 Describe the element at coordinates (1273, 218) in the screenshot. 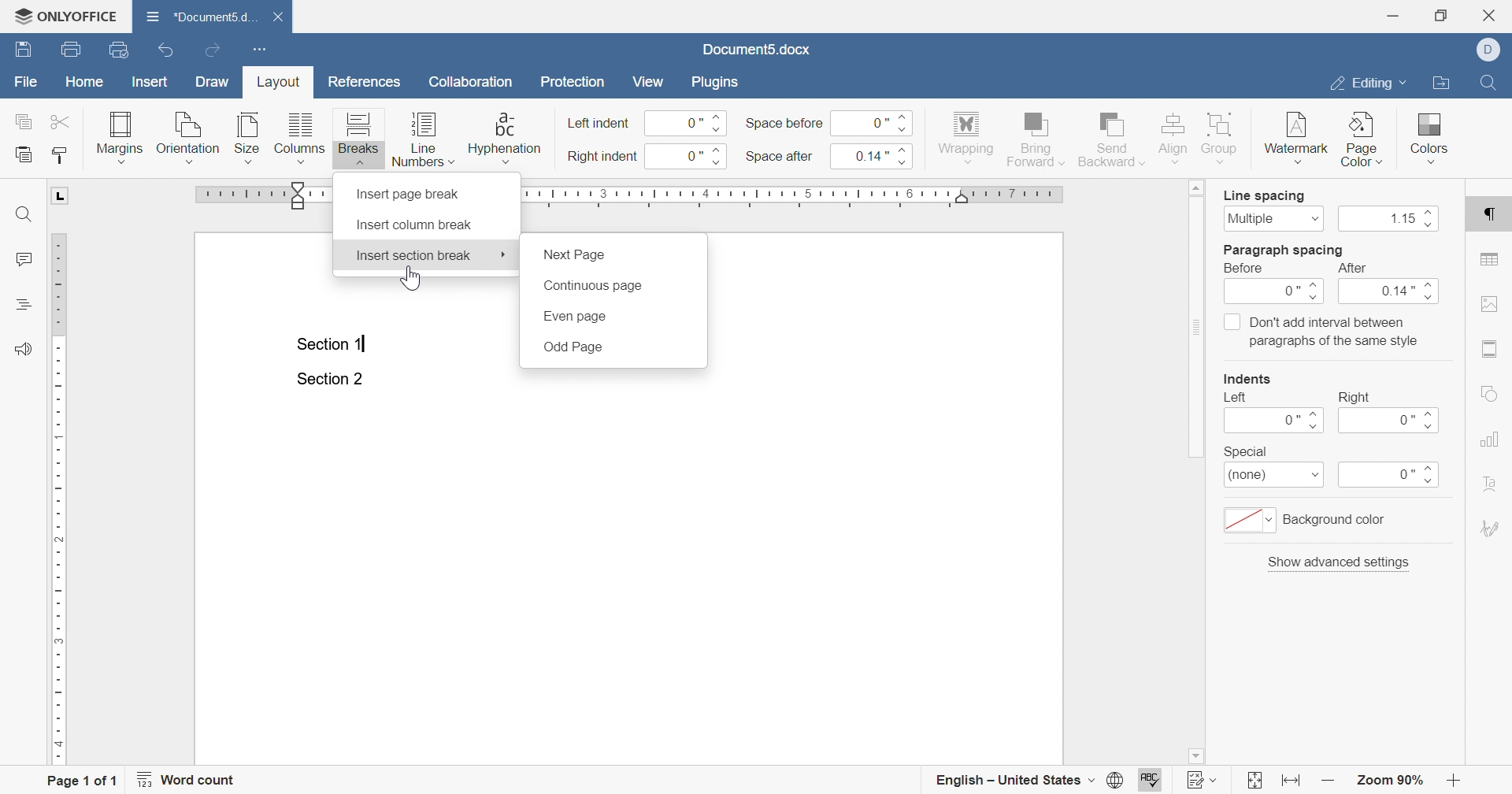

I see `multiple` at that location.